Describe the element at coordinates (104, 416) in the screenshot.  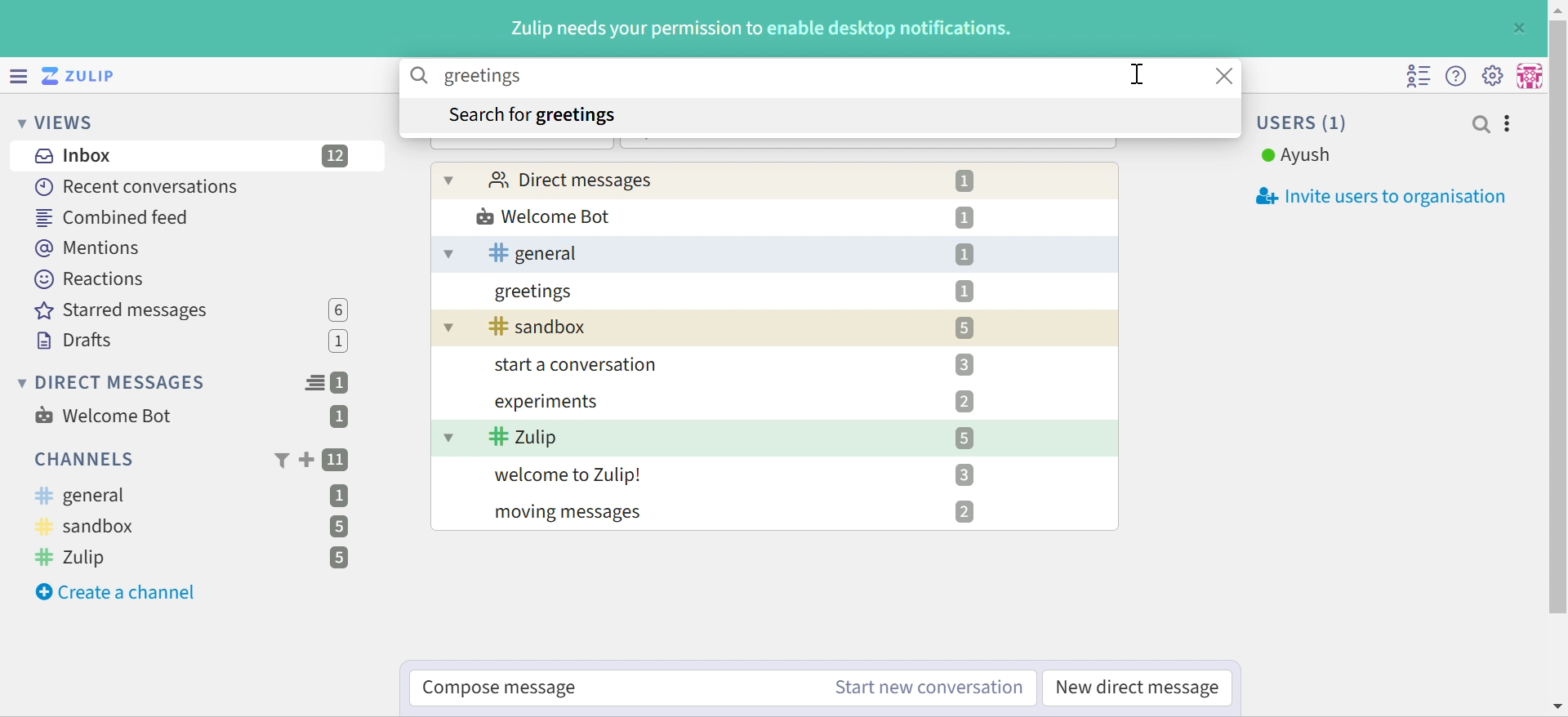
I see `Welcome Bot` at that location.